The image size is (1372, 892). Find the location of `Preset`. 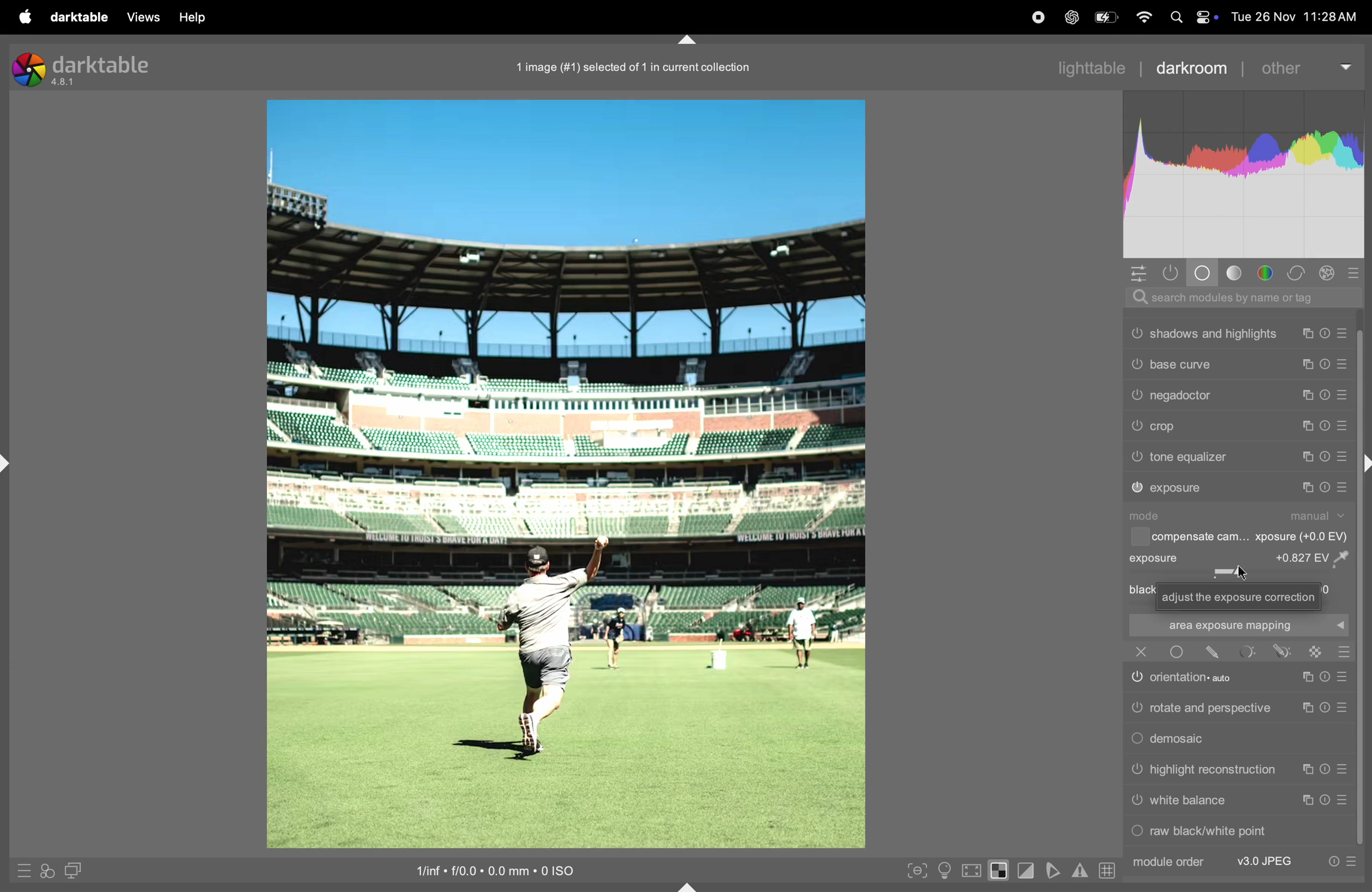

Preset is located at coordinates (1344, 707).